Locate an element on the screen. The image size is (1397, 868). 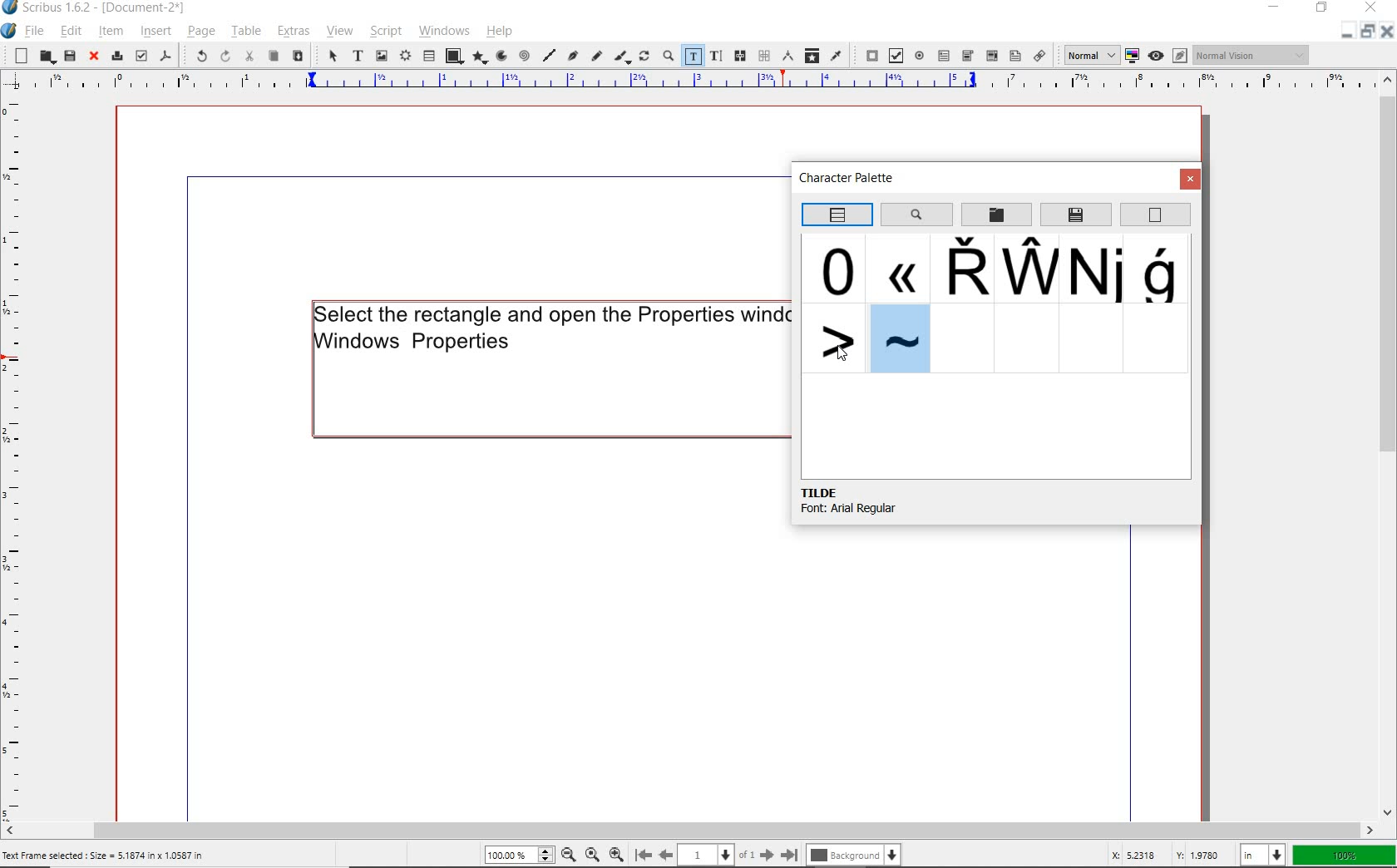
glyphs is located at coordinates (1163, 270).